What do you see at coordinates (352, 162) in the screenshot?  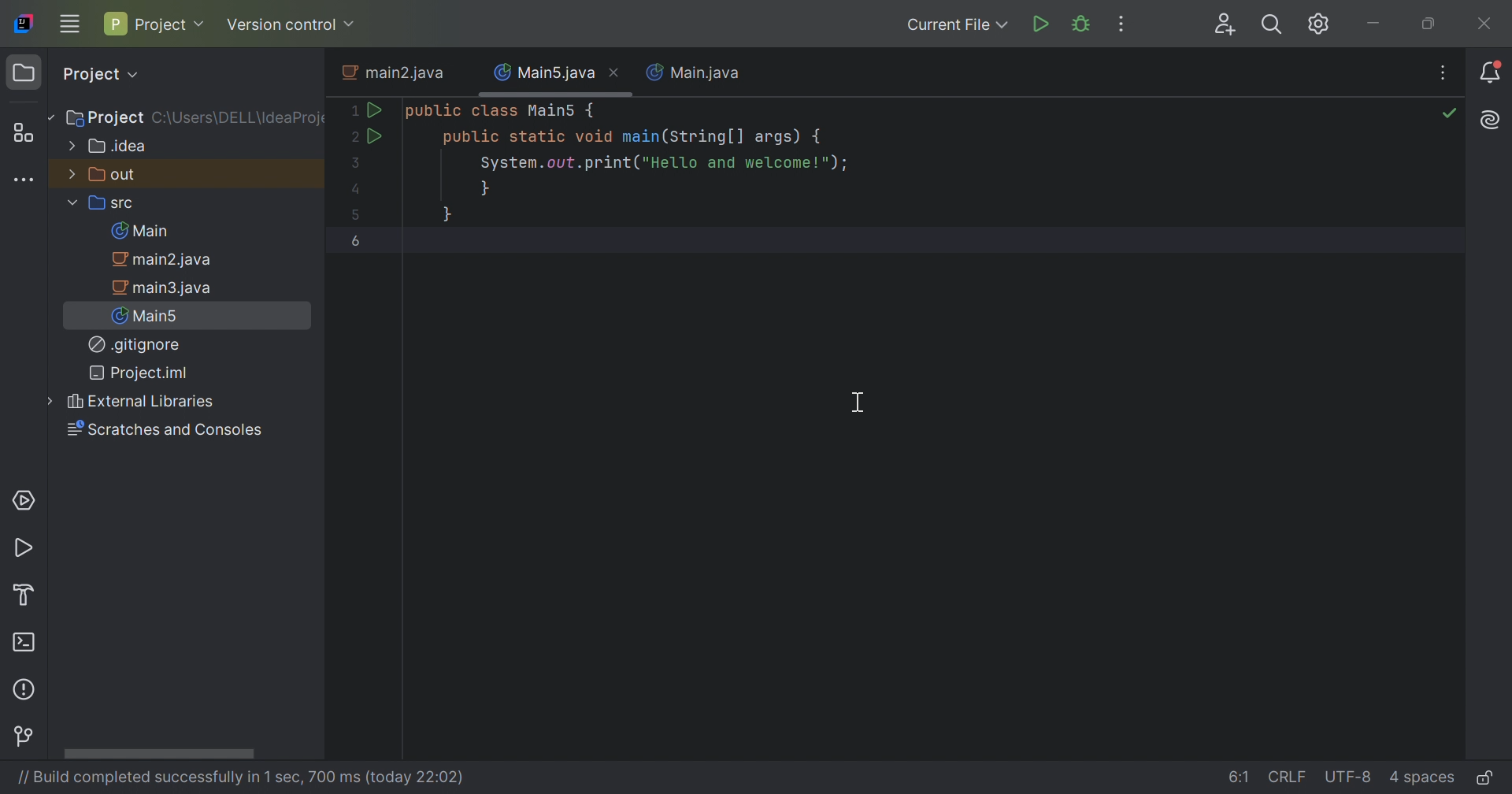 I see `3` at bounding box center [352, 162].